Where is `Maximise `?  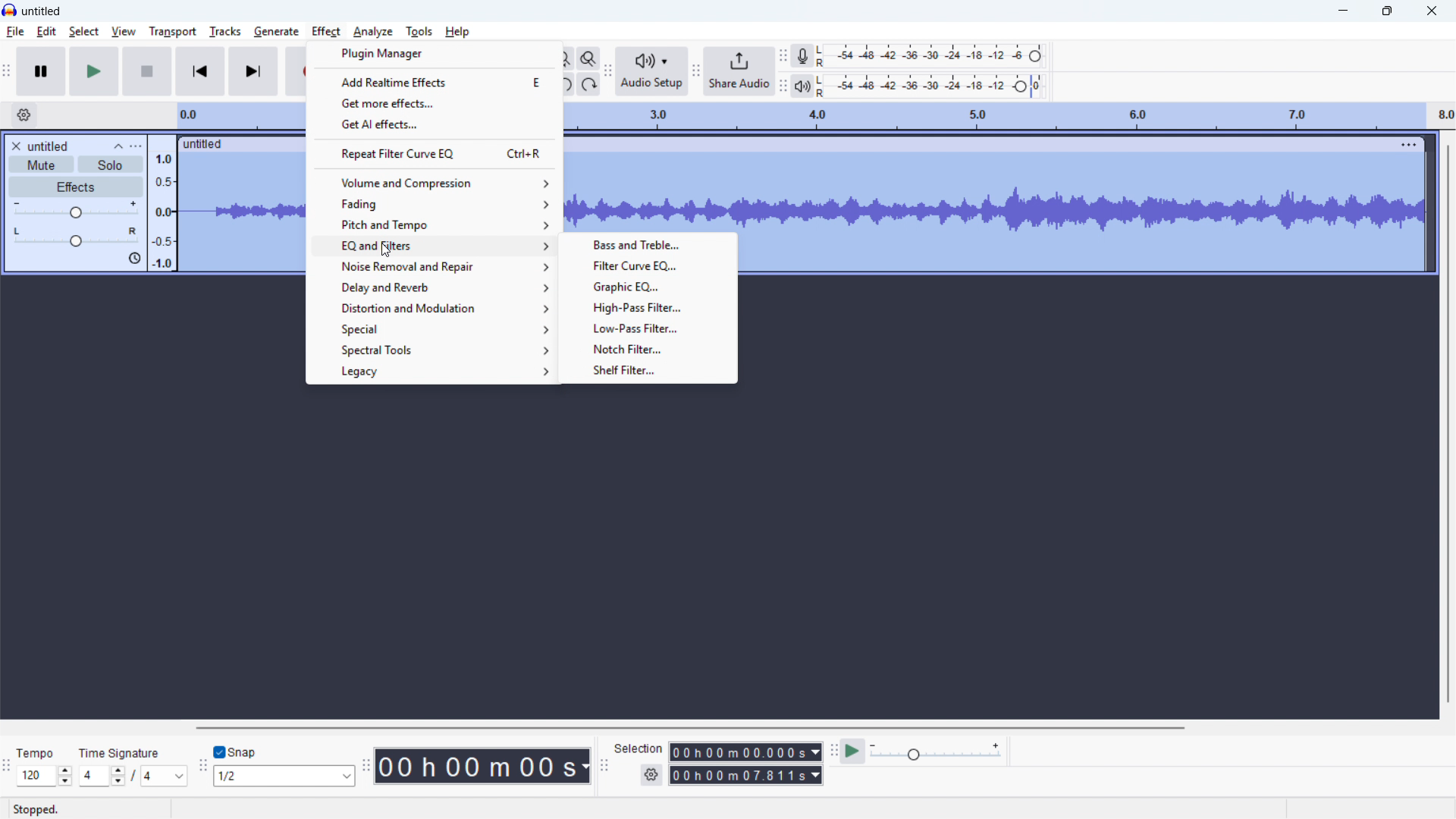
Maximise  is located at coordinates (1387, 11).